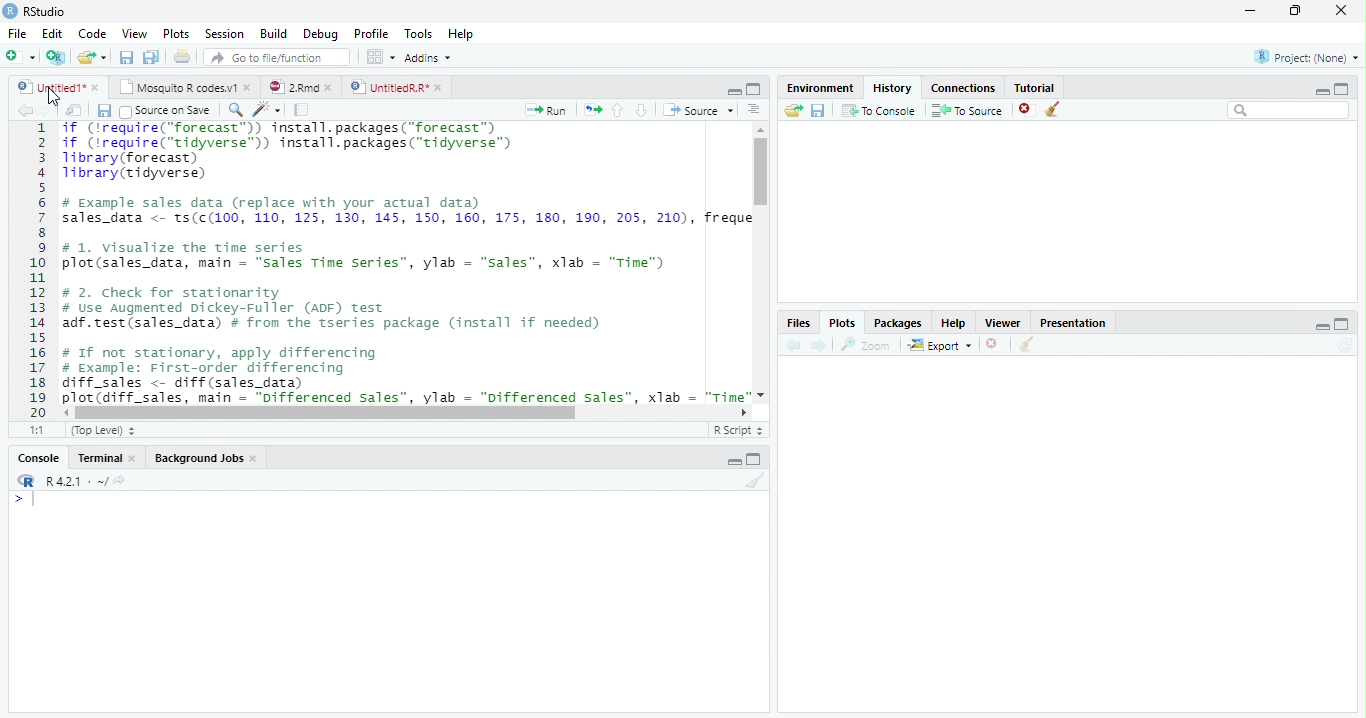 This screenshot has width=1366, height=718. Describe the element at coordinates (963, 88) in the screenshot. I see `Connections` at that location.